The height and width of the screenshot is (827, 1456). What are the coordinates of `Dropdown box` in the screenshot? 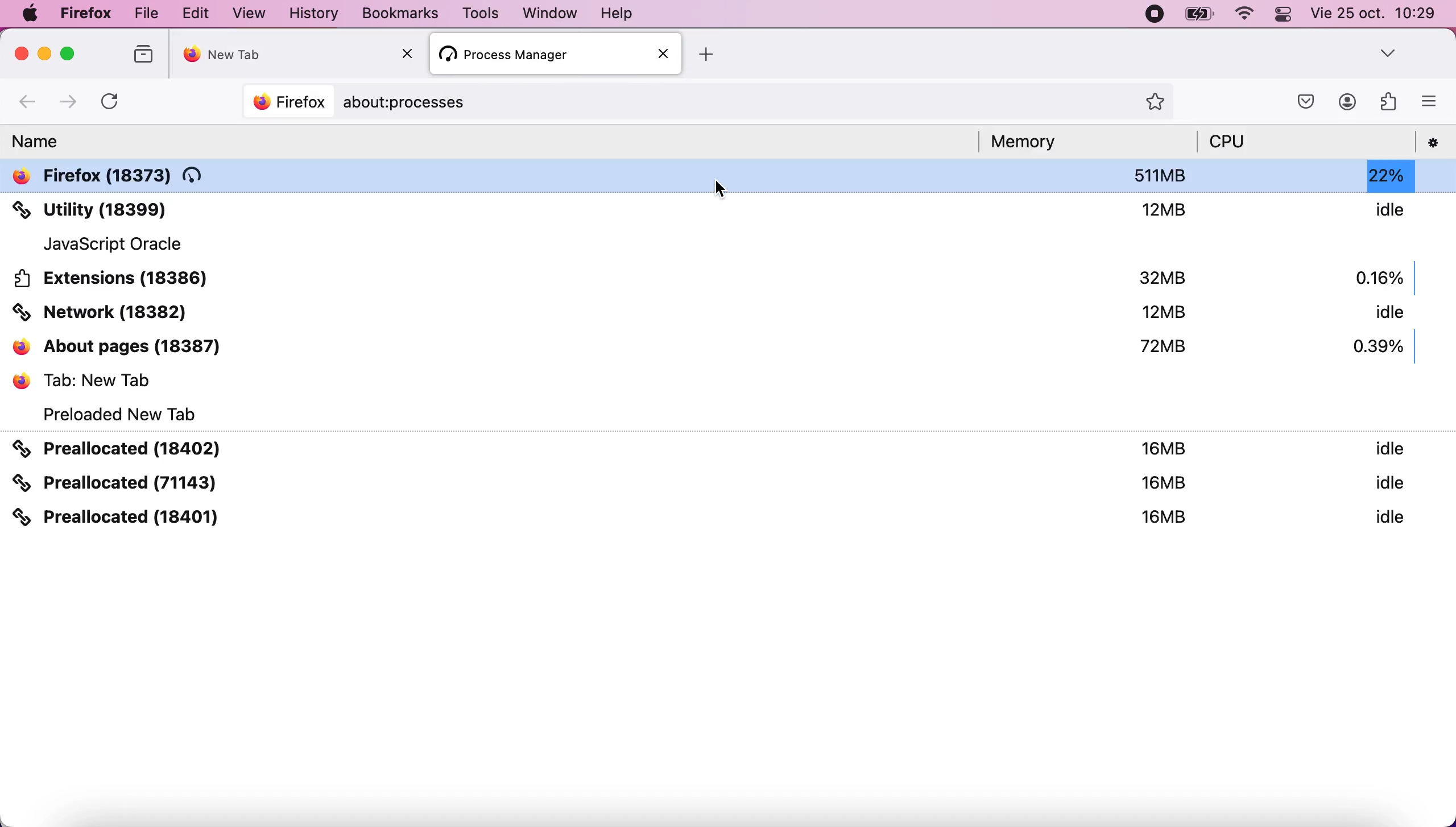 It's located at (1389, 52).